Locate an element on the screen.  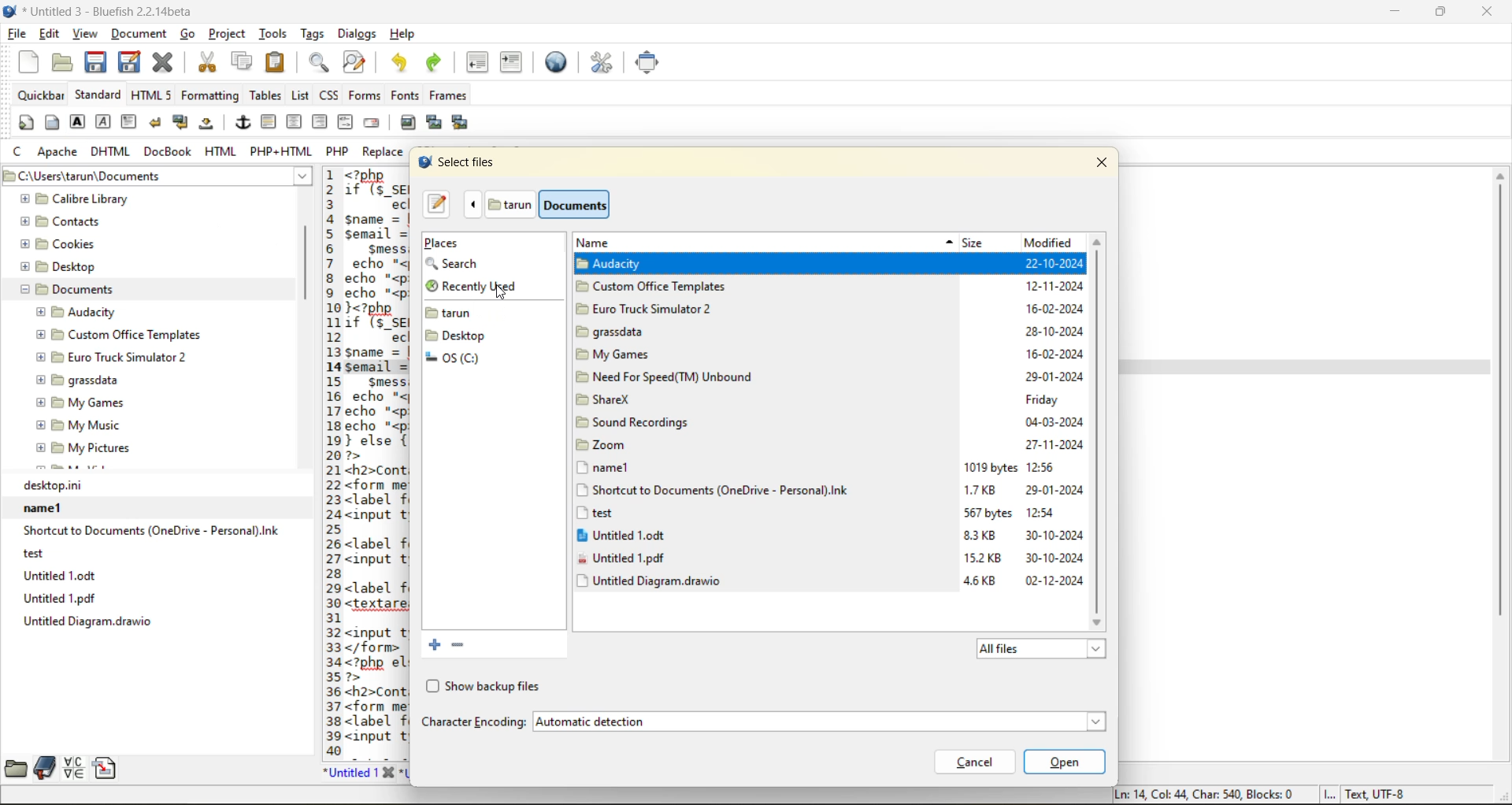
size is located at coordinates (974, 243).